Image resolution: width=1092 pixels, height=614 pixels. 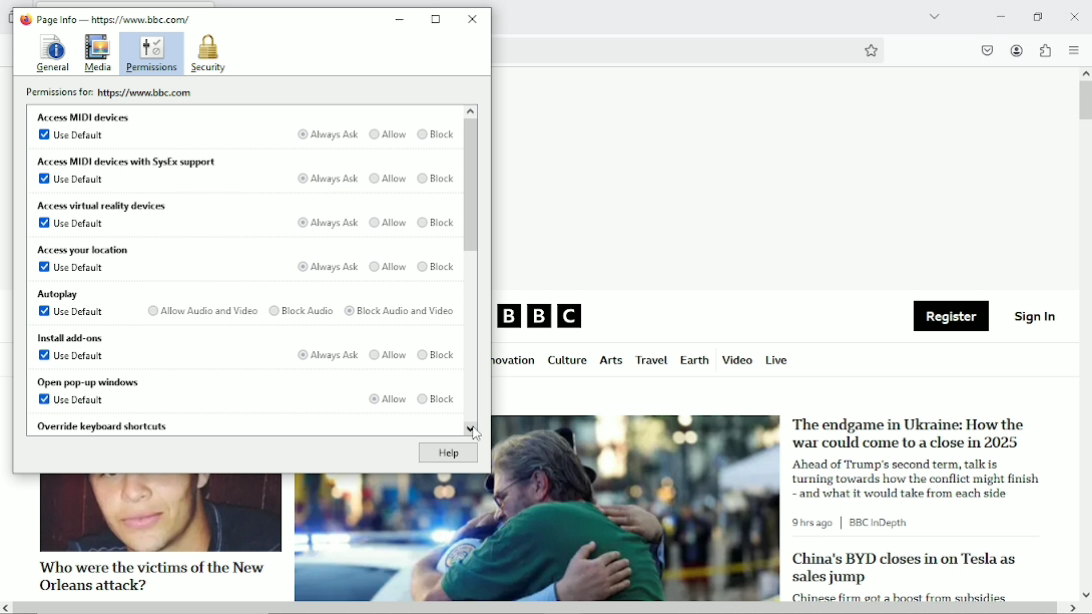 What do you see at coordinates (1074, 15) in the screenshot?
I see `close` at bounding box center [1074, 15].